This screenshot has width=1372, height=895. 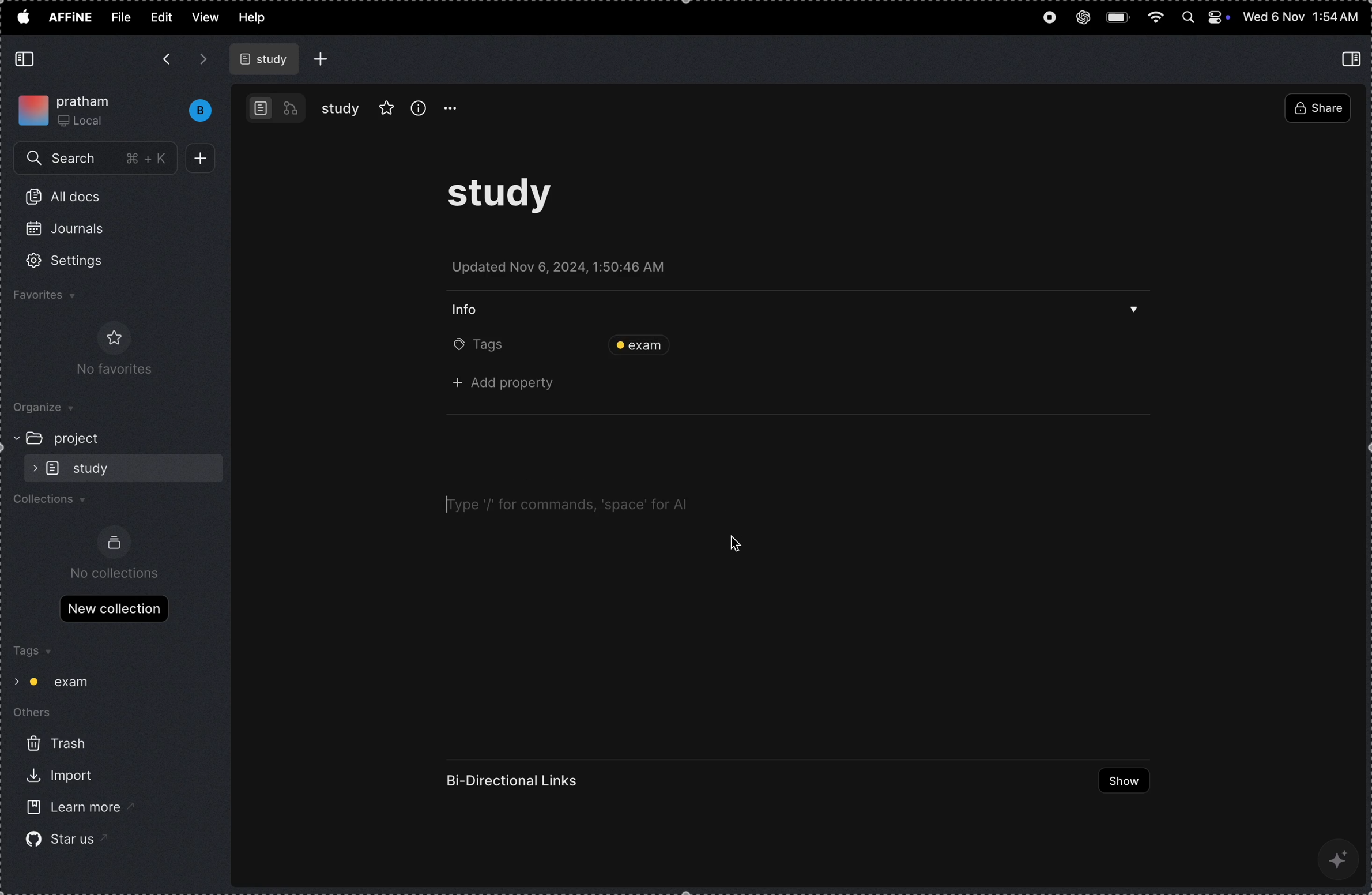 I want to click on study task, so click(x=510, y=200).